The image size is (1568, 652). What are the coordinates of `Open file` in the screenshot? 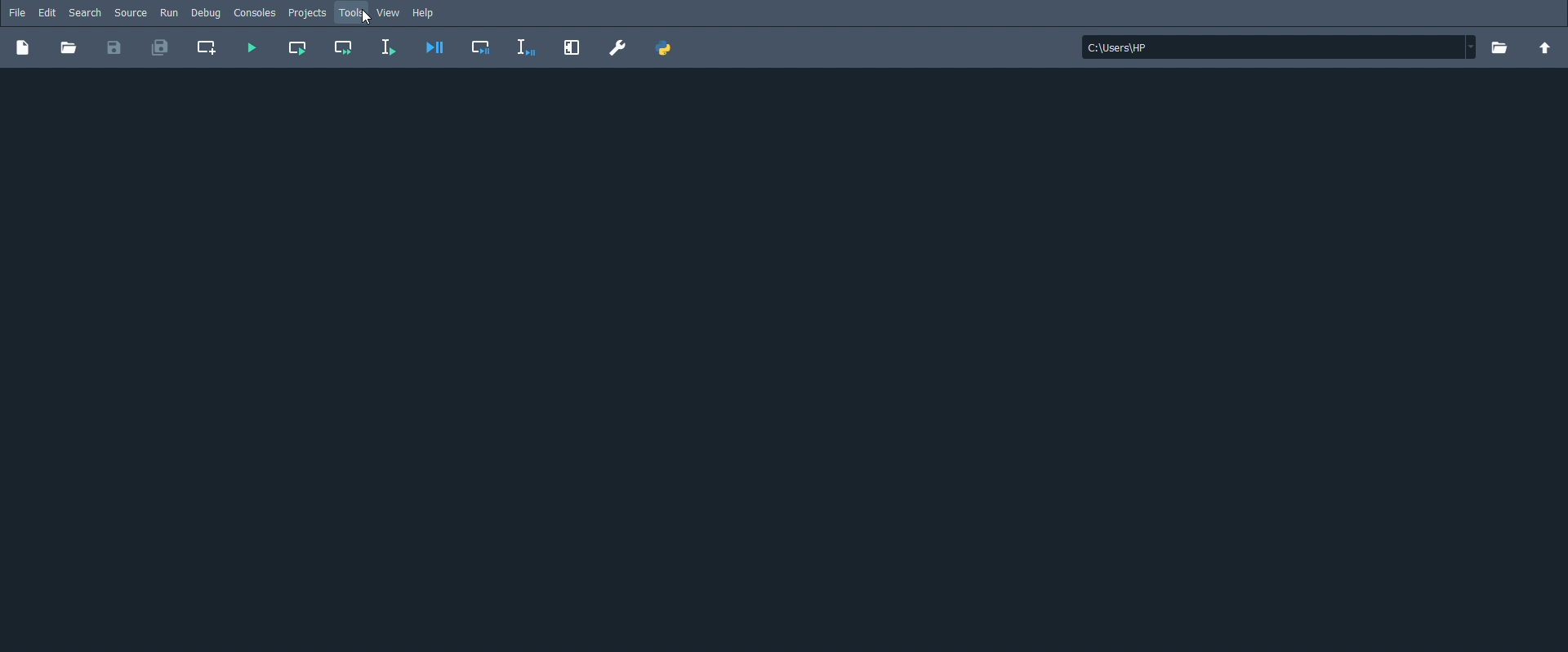 It's located at (68, 48).